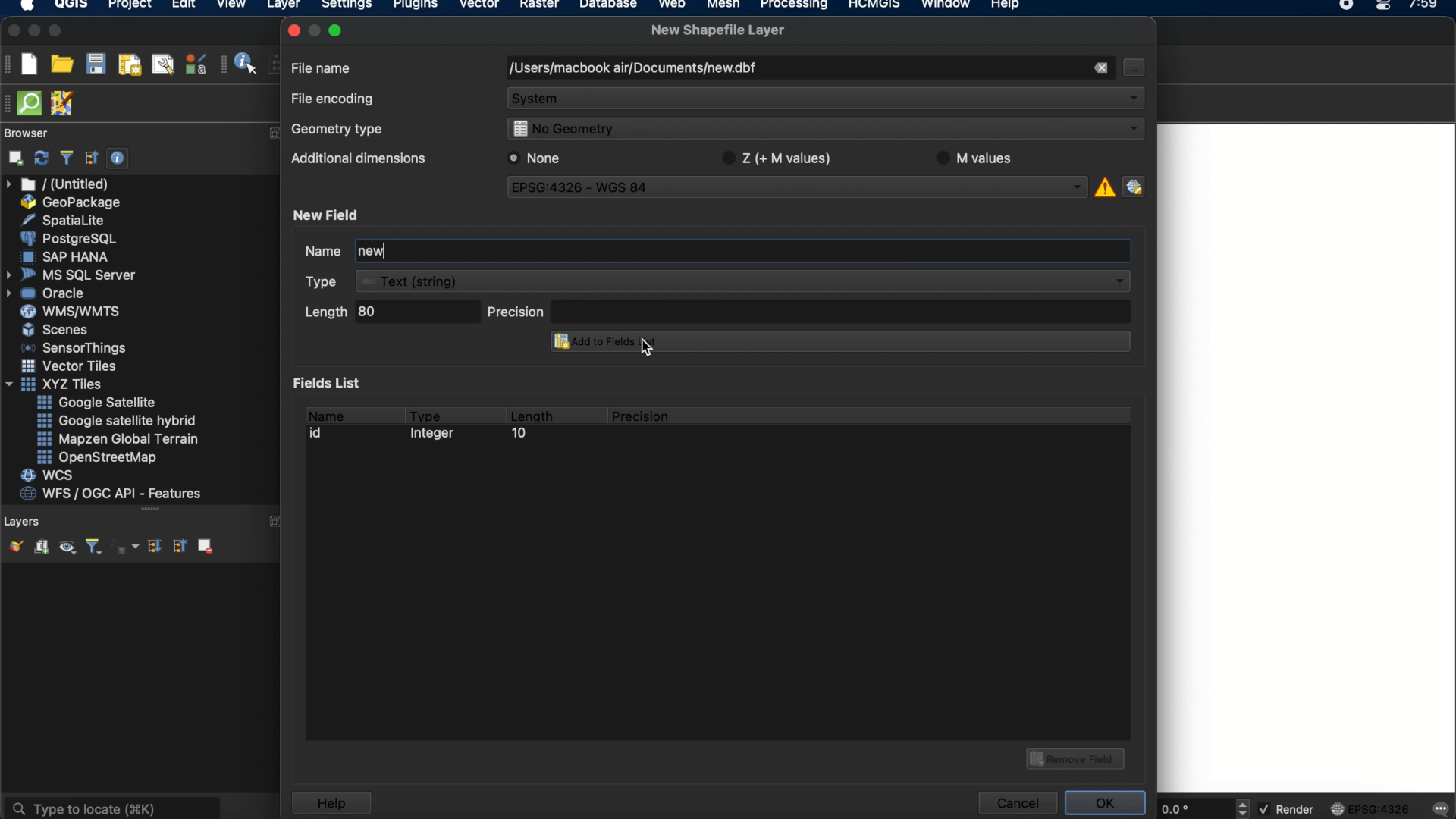 The height and width of the screenshot is (819, 1456). Describe the element at coordinates (98, 403) in the screenshot. I see `google satellite` at that location.